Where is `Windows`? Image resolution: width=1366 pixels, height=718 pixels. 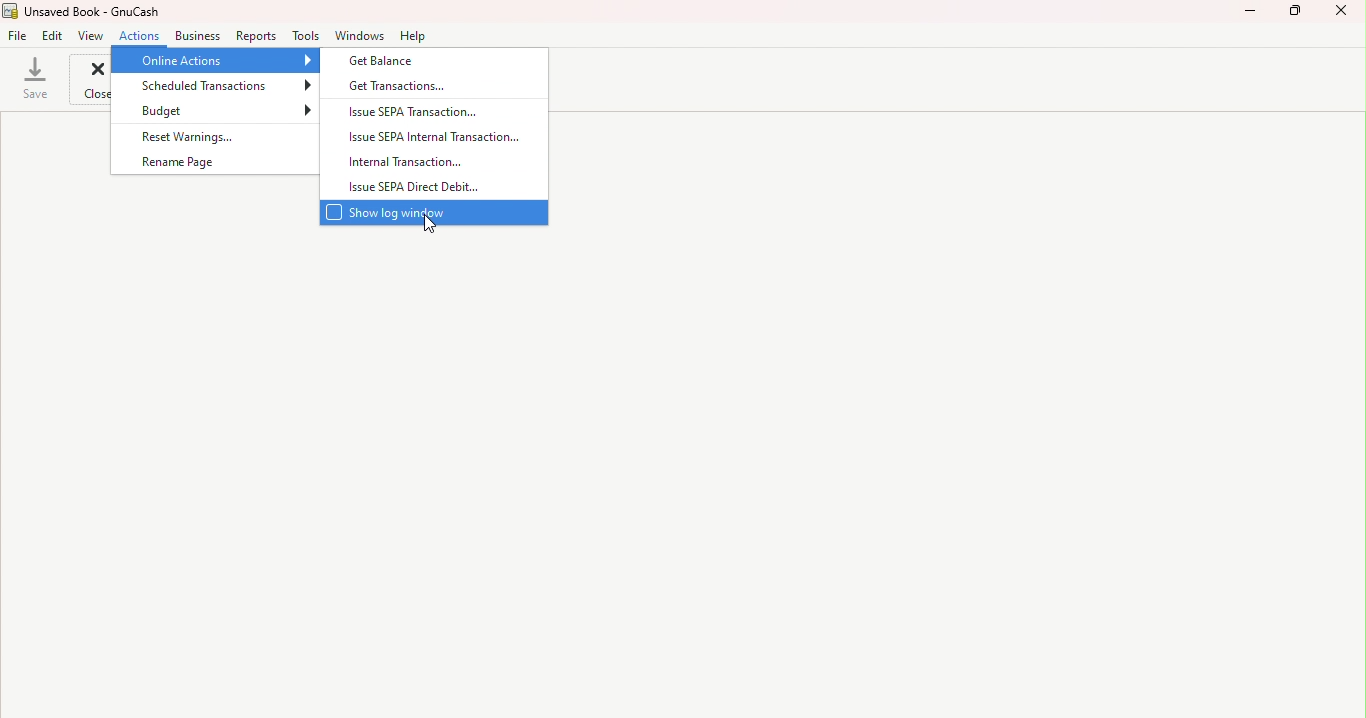
Windows is located at coordinates (360, 34).